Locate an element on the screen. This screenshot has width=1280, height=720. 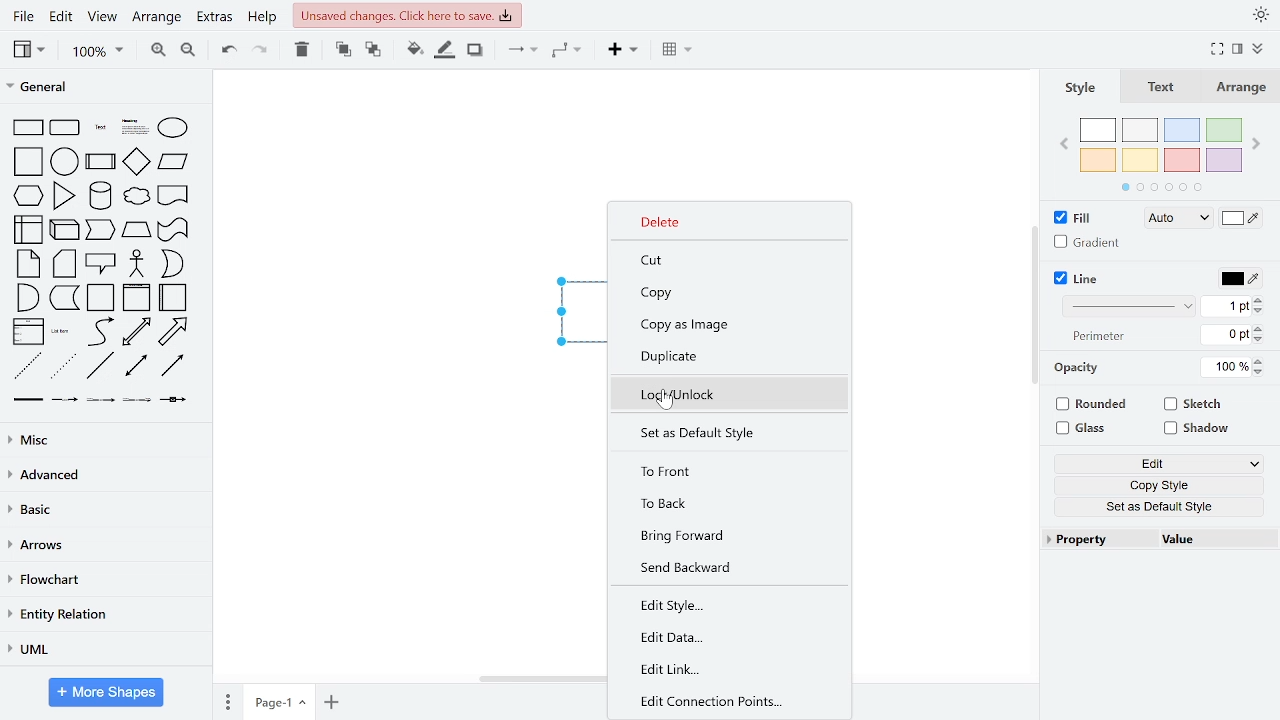
blue is located at coordinates (1182, 131).